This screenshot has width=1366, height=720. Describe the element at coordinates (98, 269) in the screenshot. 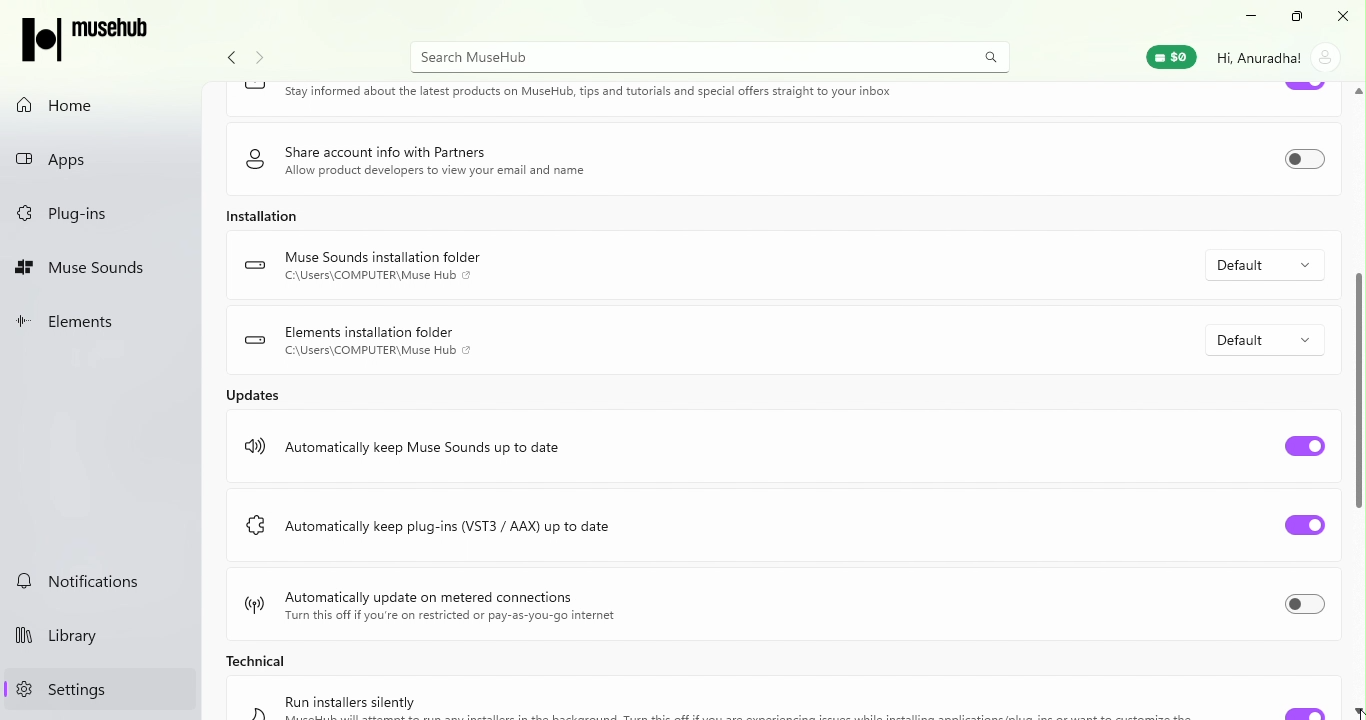

I see `Muse Sounds` at that location.